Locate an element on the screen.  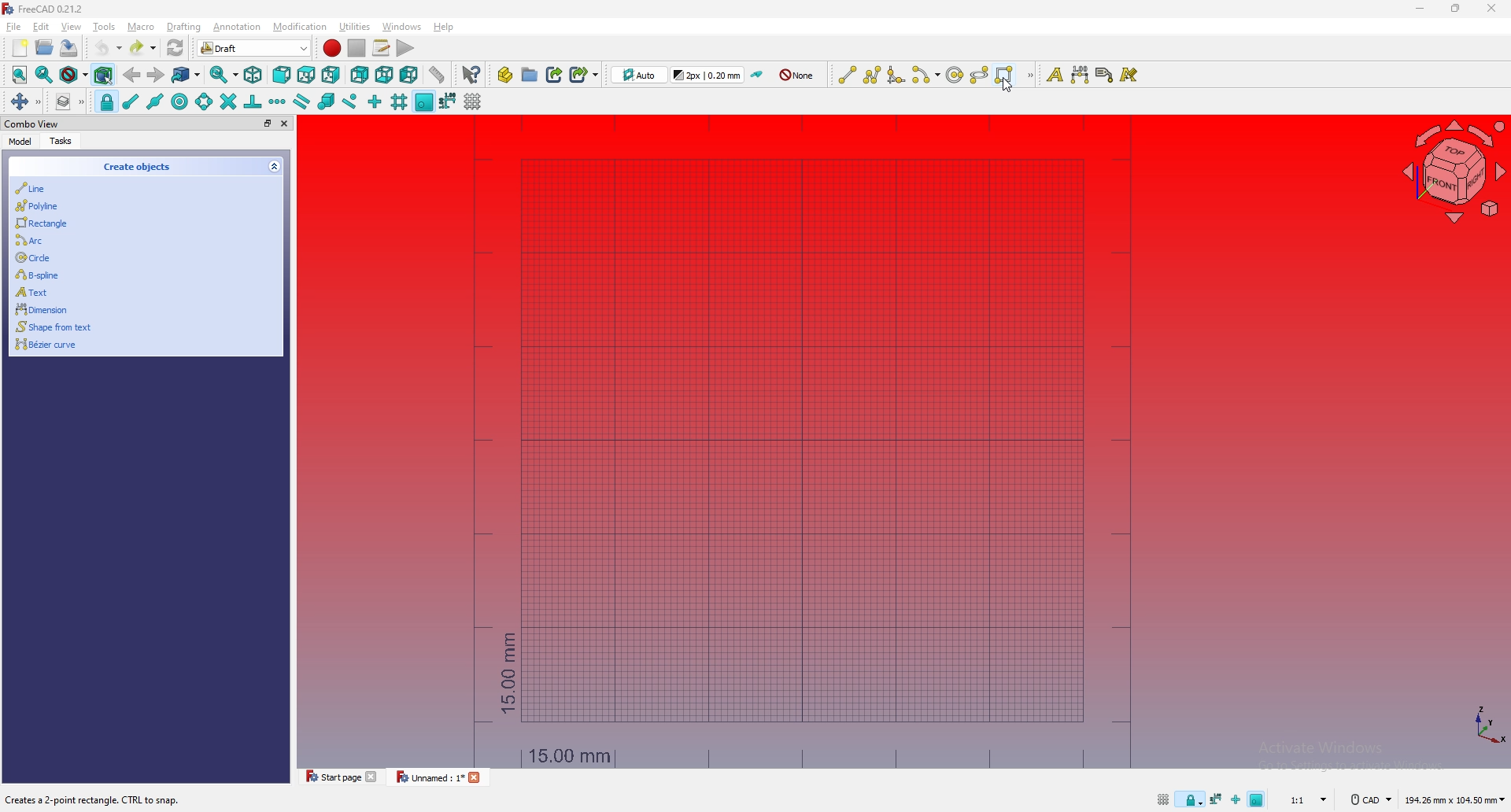
combo view is located at coordinates (31, 124).